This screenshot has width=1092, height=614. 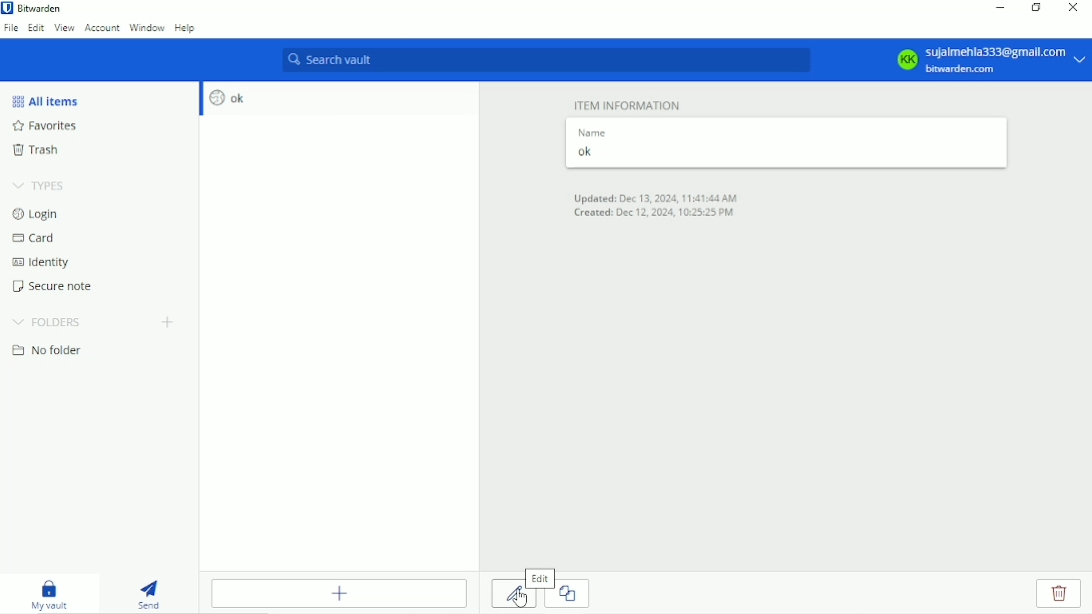 What do you see at coordinates (339, 98) in the screenshot?
I see `ok` at bounding box center [339, 98].